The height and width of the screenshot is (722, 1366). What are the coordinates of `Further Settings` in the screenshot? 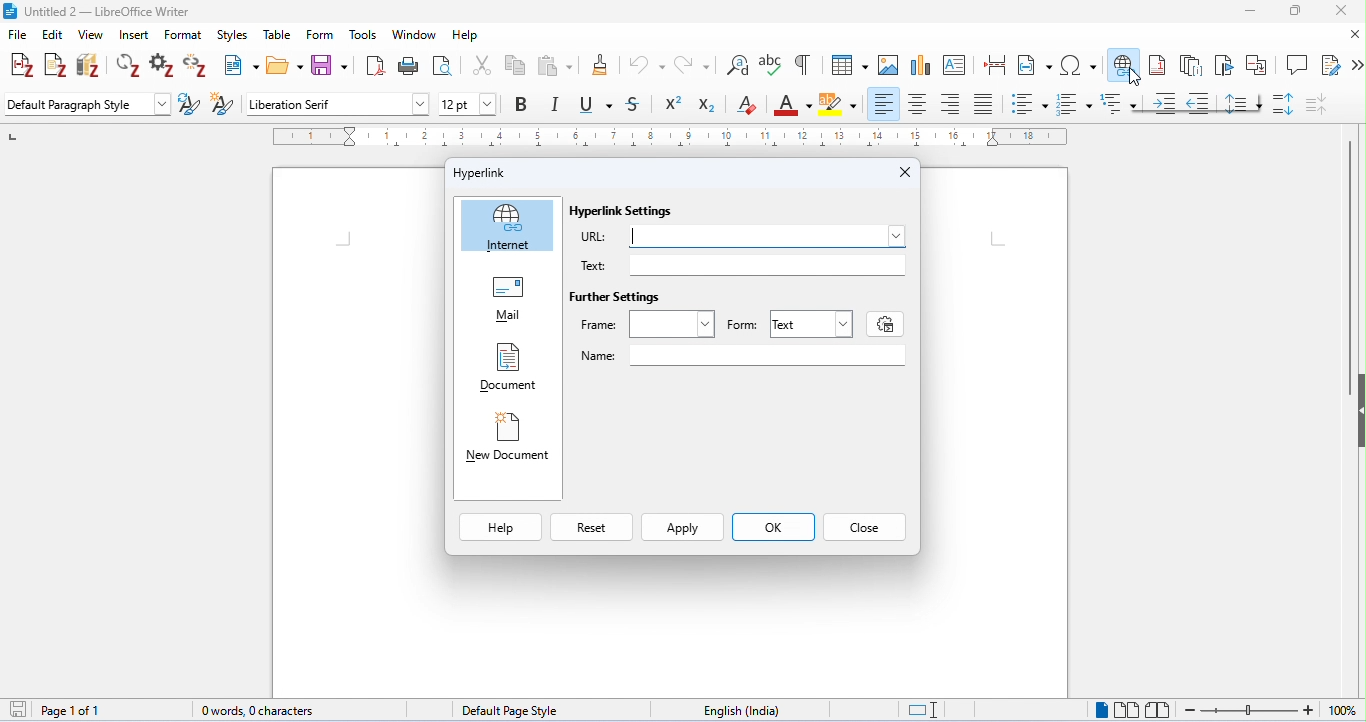 It's located at (628, 297).